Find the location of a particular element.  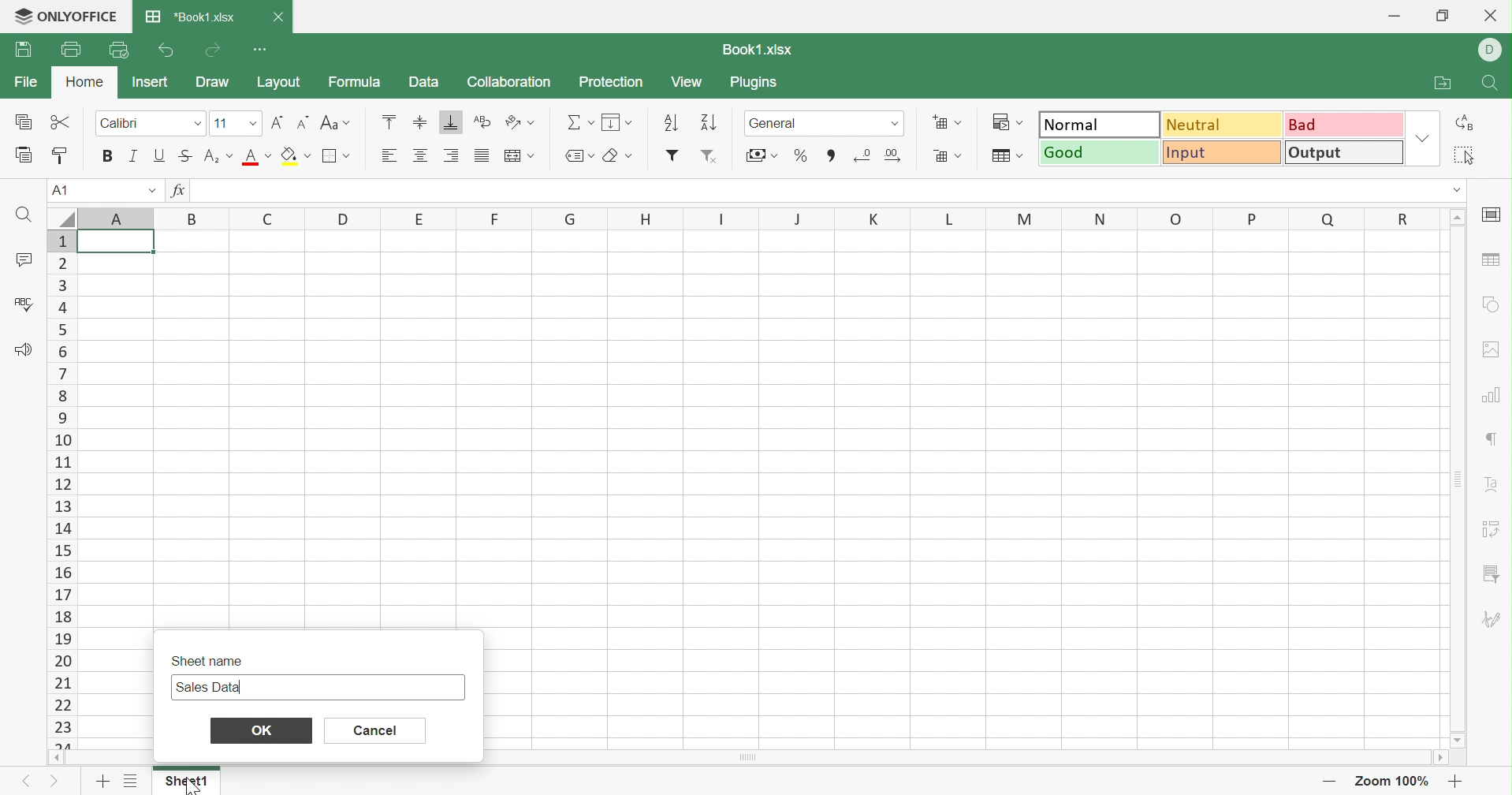

Align Top is located at coordinates (389, 120).